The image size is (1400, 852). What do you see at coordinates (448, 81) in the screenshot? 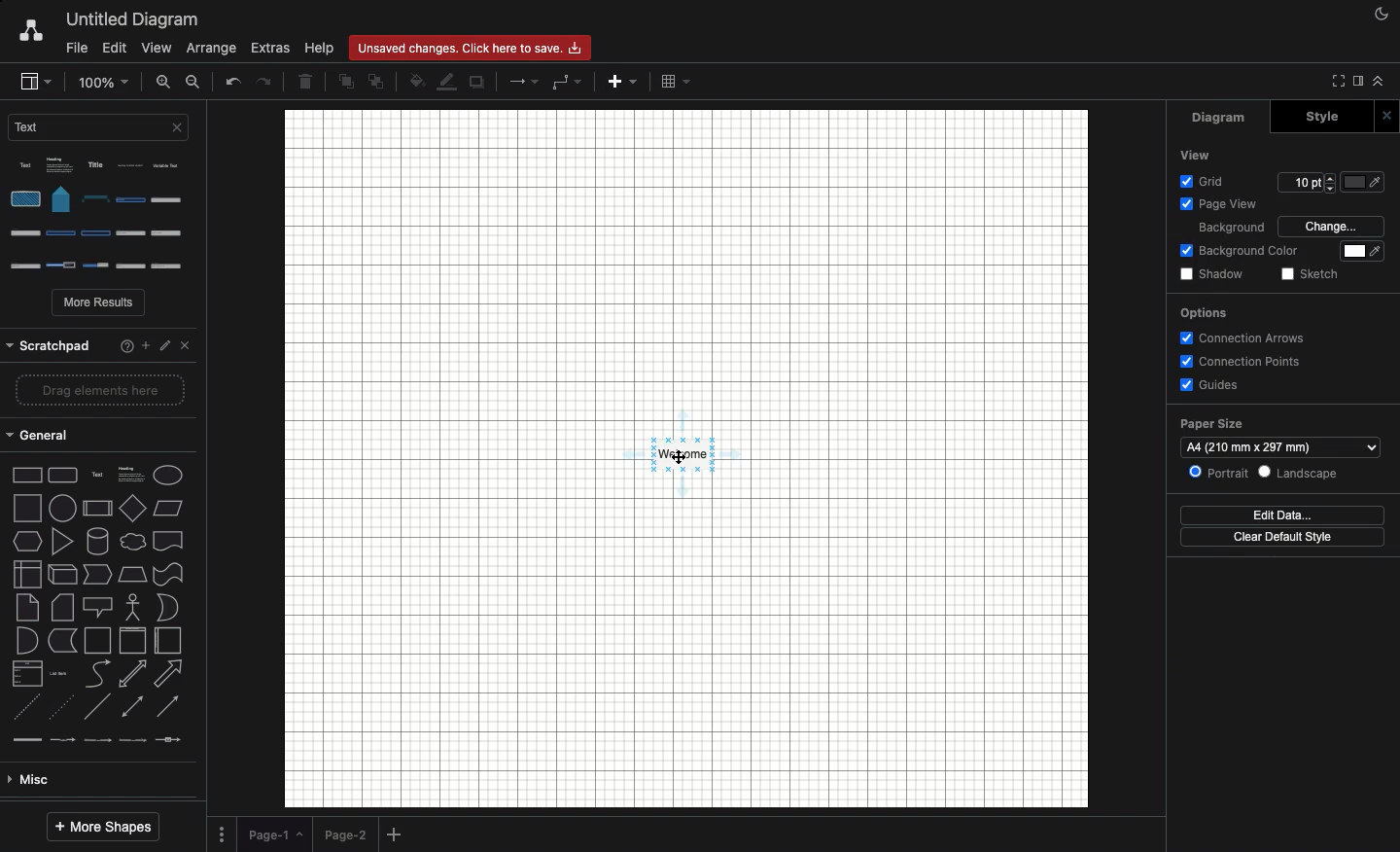
I see `Line fill` at bounding box center [448, 81].